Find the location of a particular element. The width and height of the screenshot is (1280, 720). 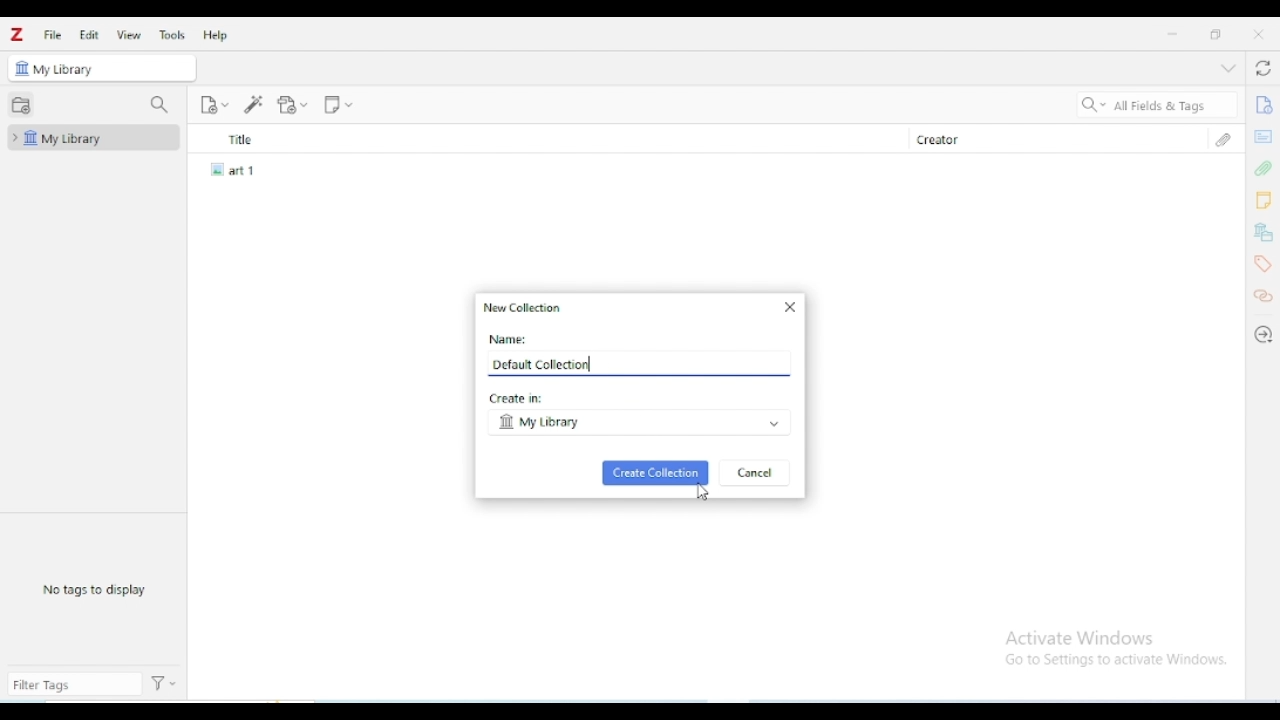

create collection is located at coordinates (655, 473).